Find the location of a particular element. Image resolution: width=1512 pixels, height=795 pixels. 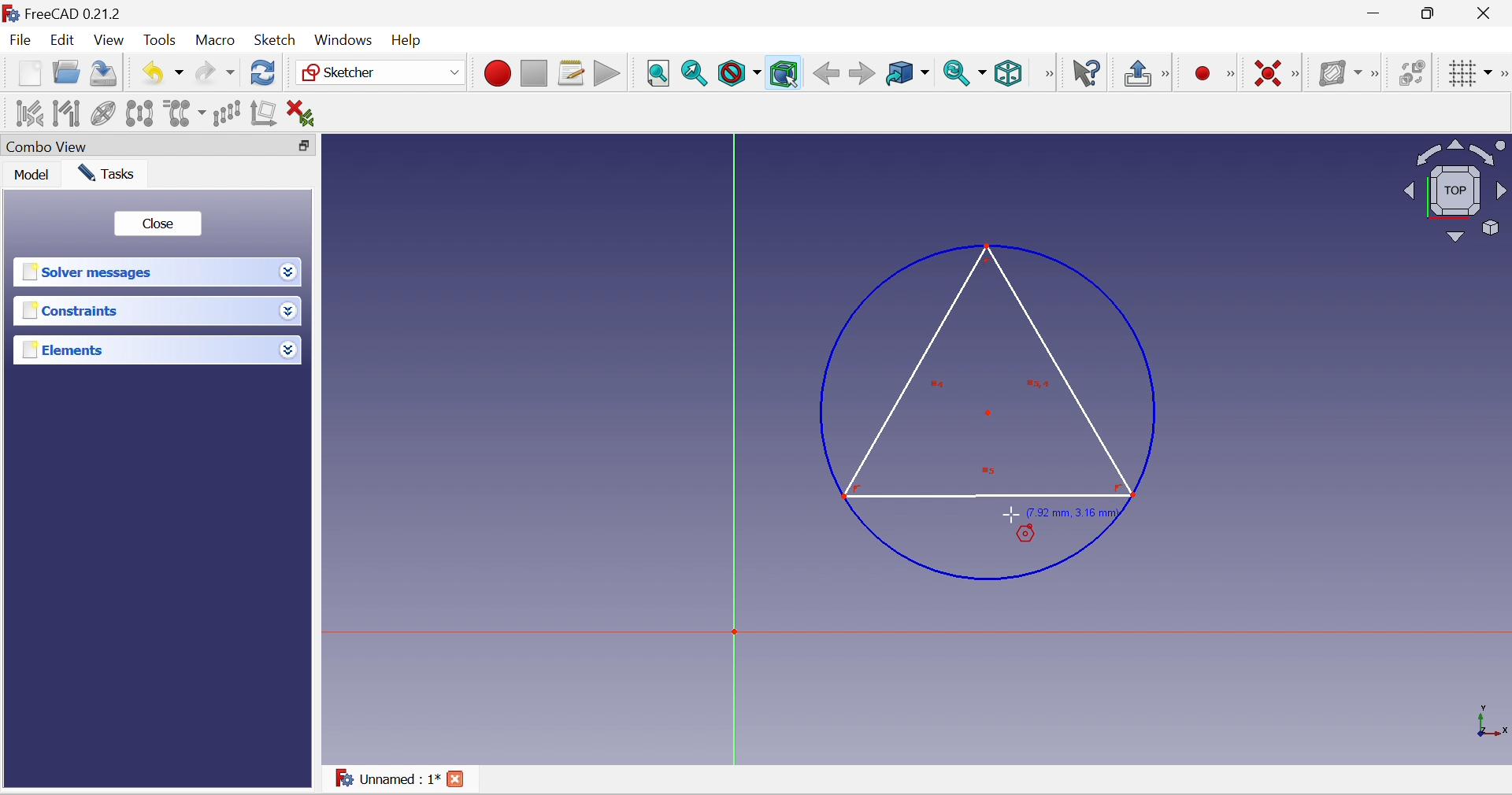

Elements is located at coordinates (144, 349).